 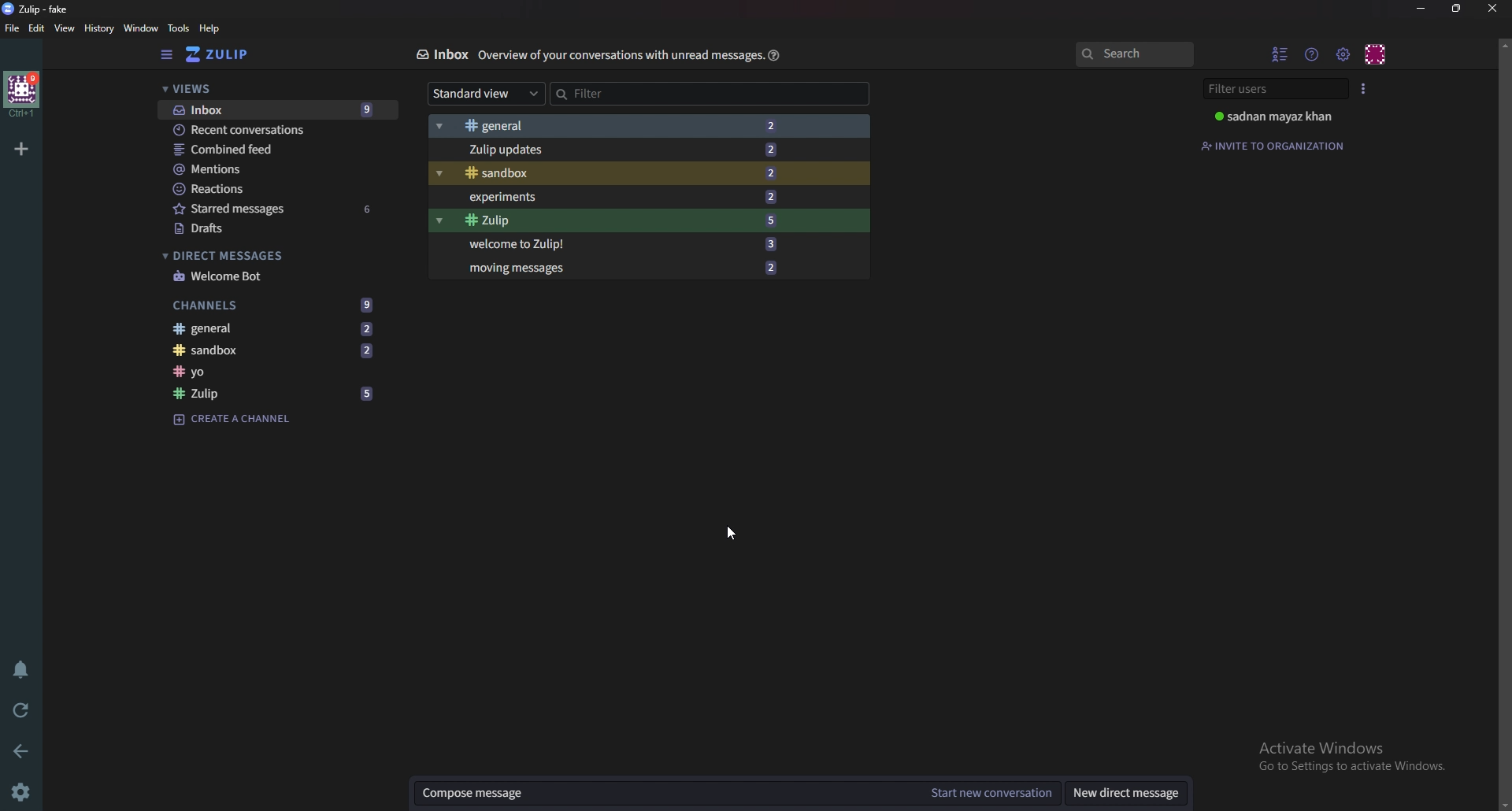 What do you see at coordinates (272, 170) in the screenshot?
I see `Mentions` at bounding box center [272, 170].